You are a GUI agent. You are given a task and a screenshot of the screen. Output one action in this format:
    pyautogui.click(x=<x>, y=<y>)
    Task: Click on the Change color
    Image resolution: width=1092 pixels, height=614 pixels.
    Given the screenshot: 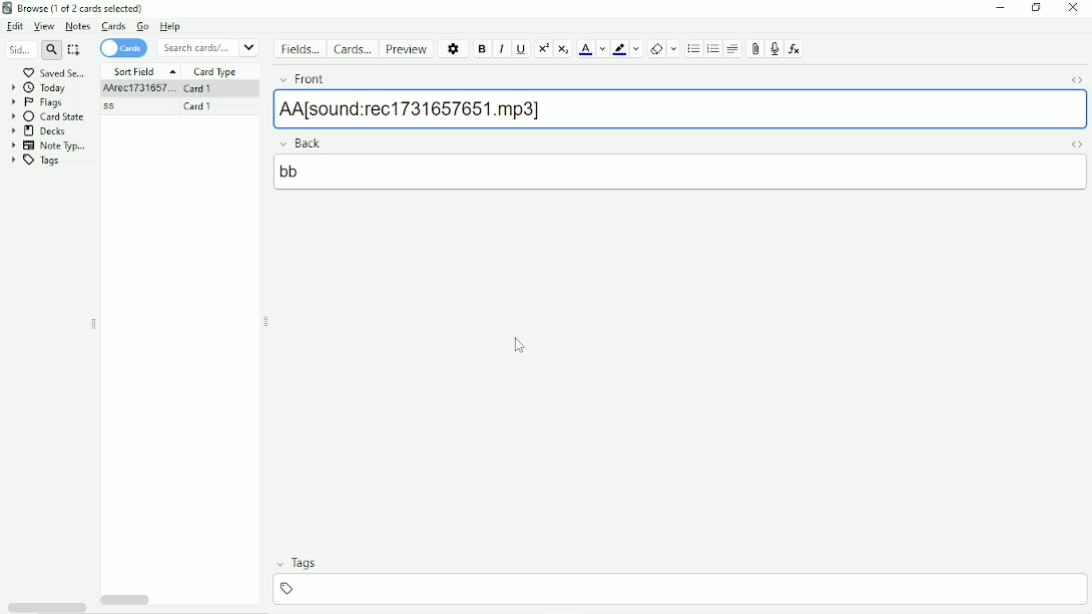 What is the action you would take?
    pyautogui.click(x=638, y=48)
    